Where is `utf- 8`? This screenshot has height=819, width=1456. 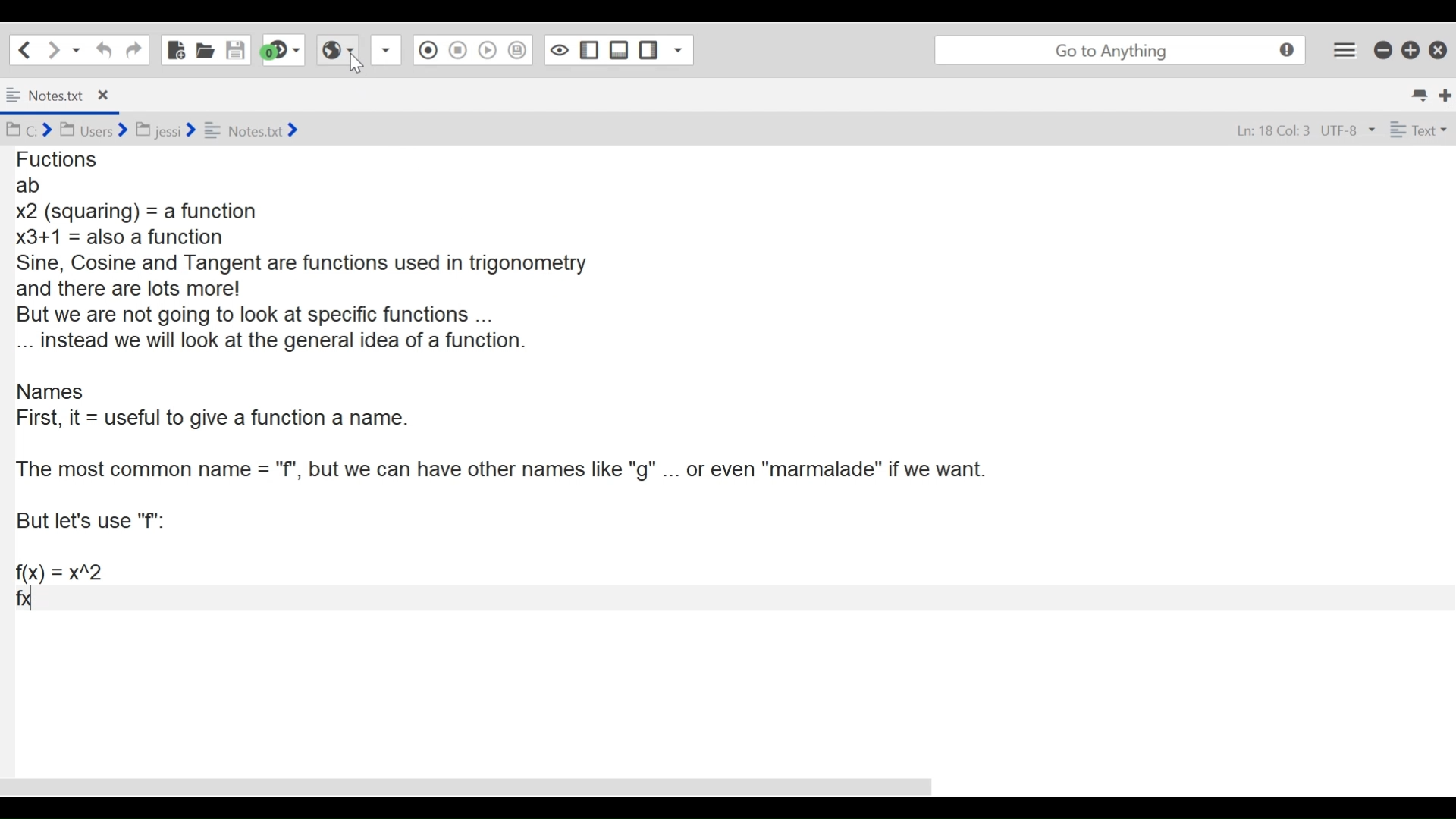
utf- 8 is located at coordinates (1348, 130).